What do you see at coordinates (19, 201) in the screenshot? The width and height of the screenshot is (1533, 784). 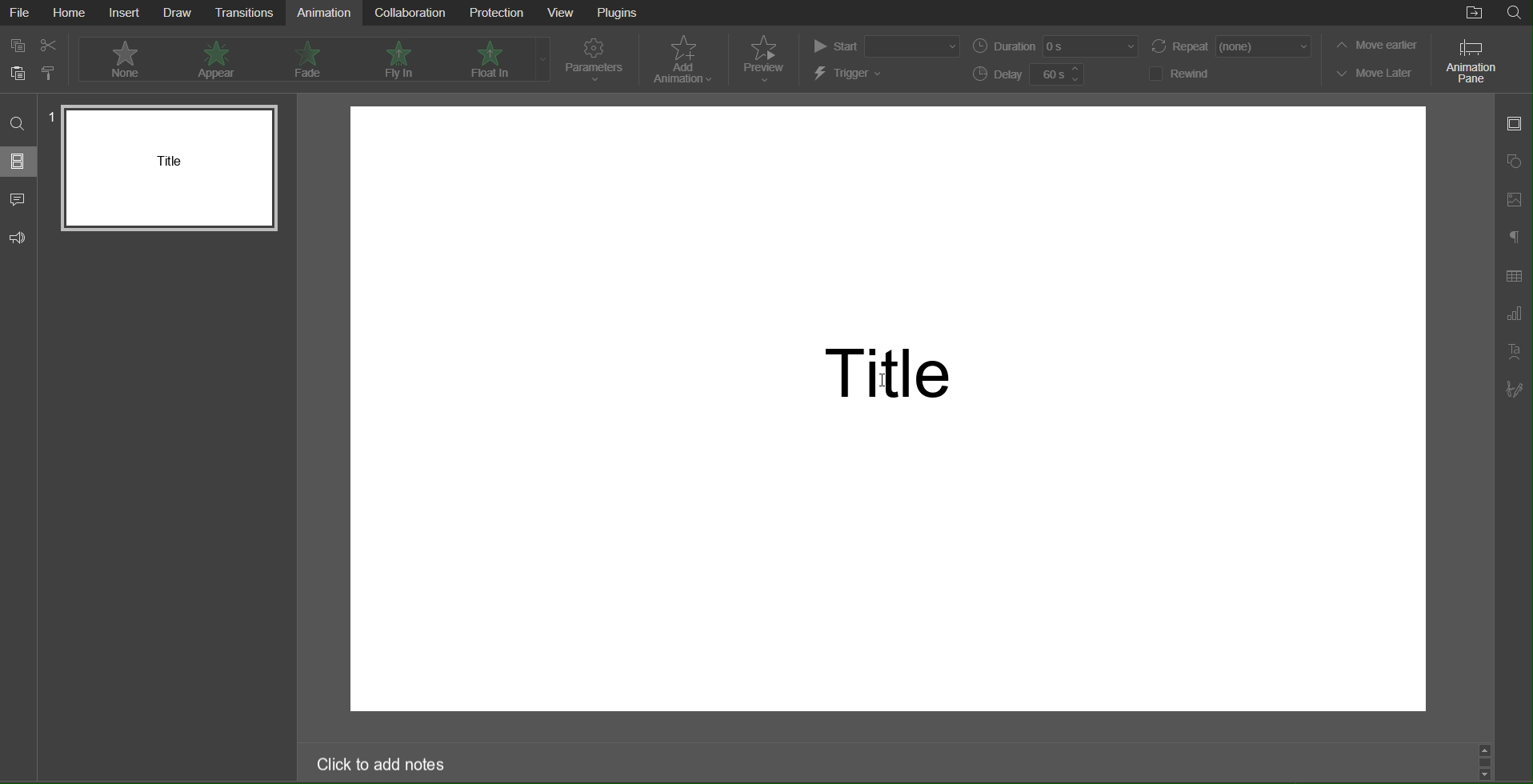 I see `Comments` at bounding box center [19, 201].